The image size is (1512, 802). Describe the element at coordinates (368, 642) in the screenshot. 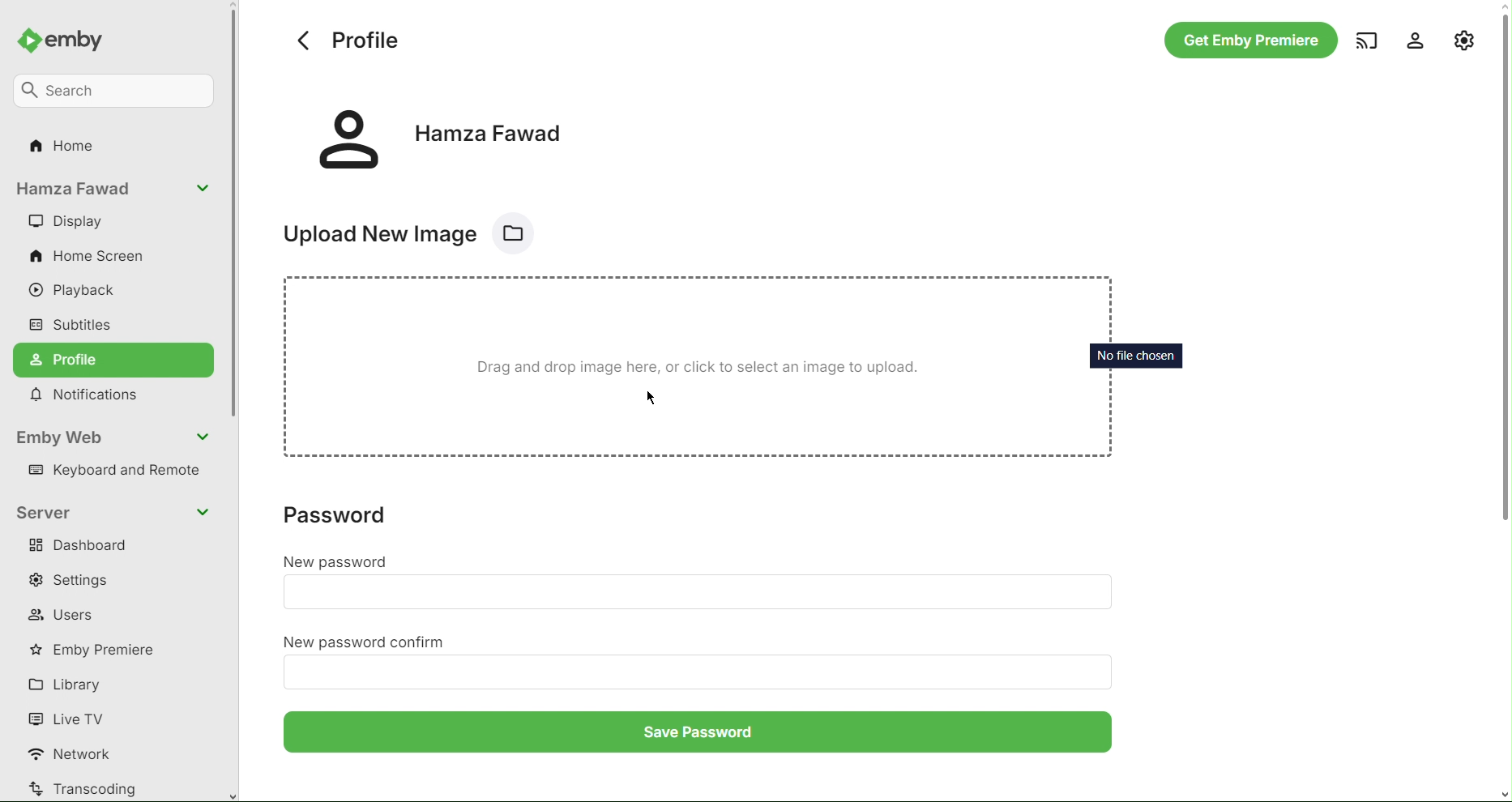

I see `New Password Confirm` at that location.